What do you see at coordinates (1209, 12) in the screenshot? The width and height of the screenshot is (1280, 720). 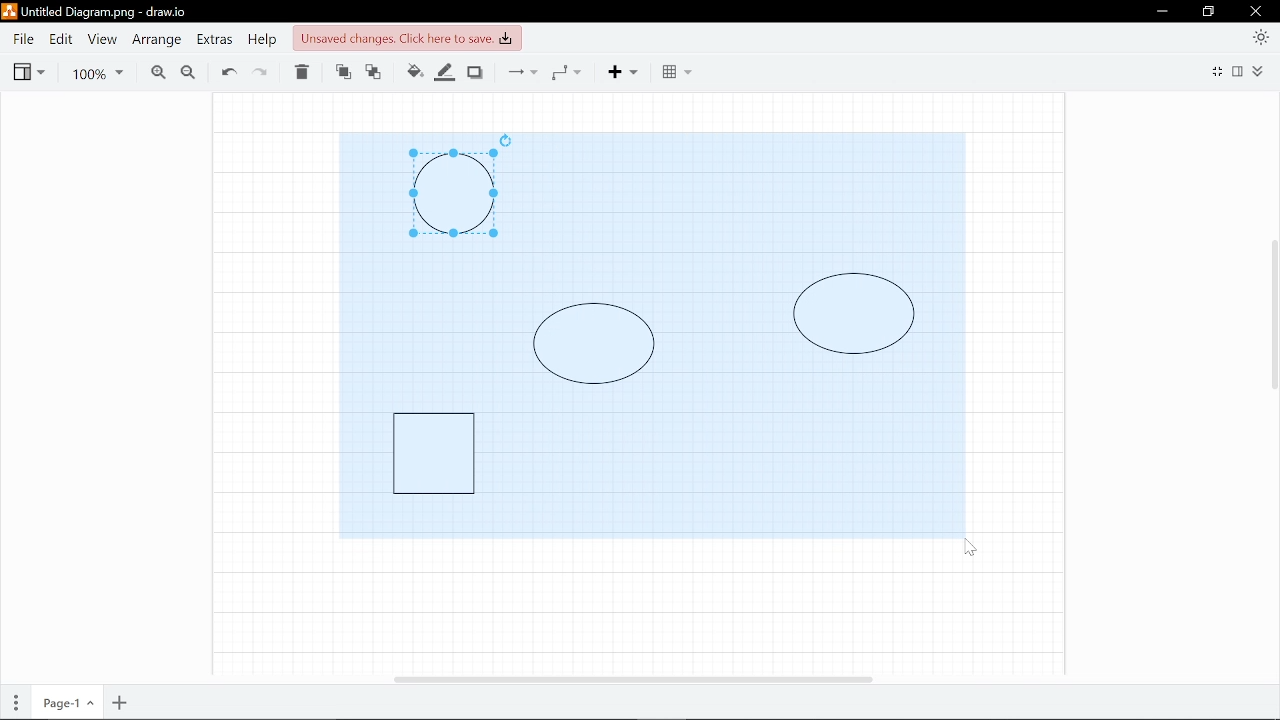 I see `Restore down` at bounding box center [1209, 12].